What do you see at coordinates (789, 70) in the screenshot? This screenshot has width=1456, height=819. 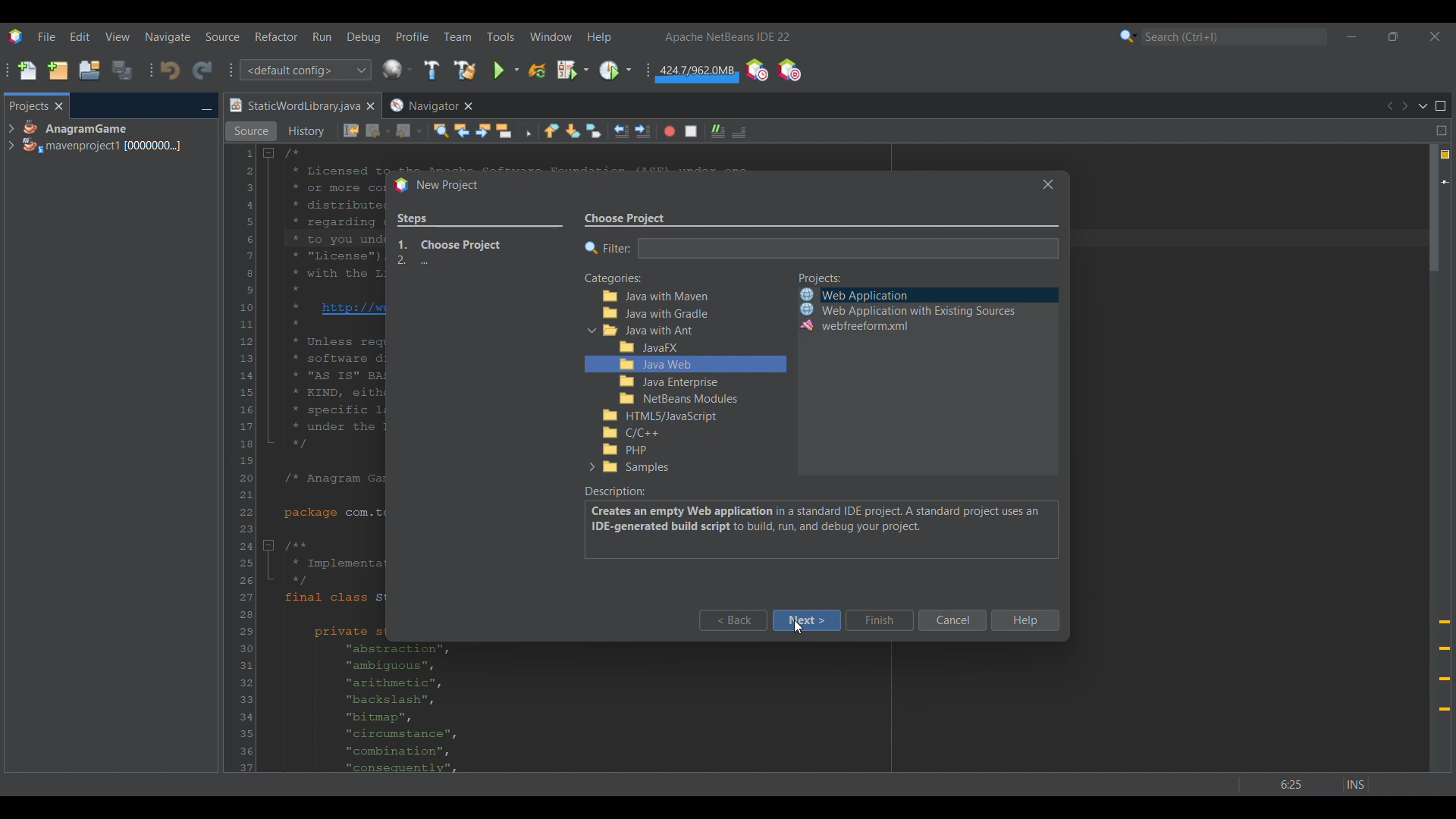 I see `Pause I/O checks` at bounding box center [789, 70].